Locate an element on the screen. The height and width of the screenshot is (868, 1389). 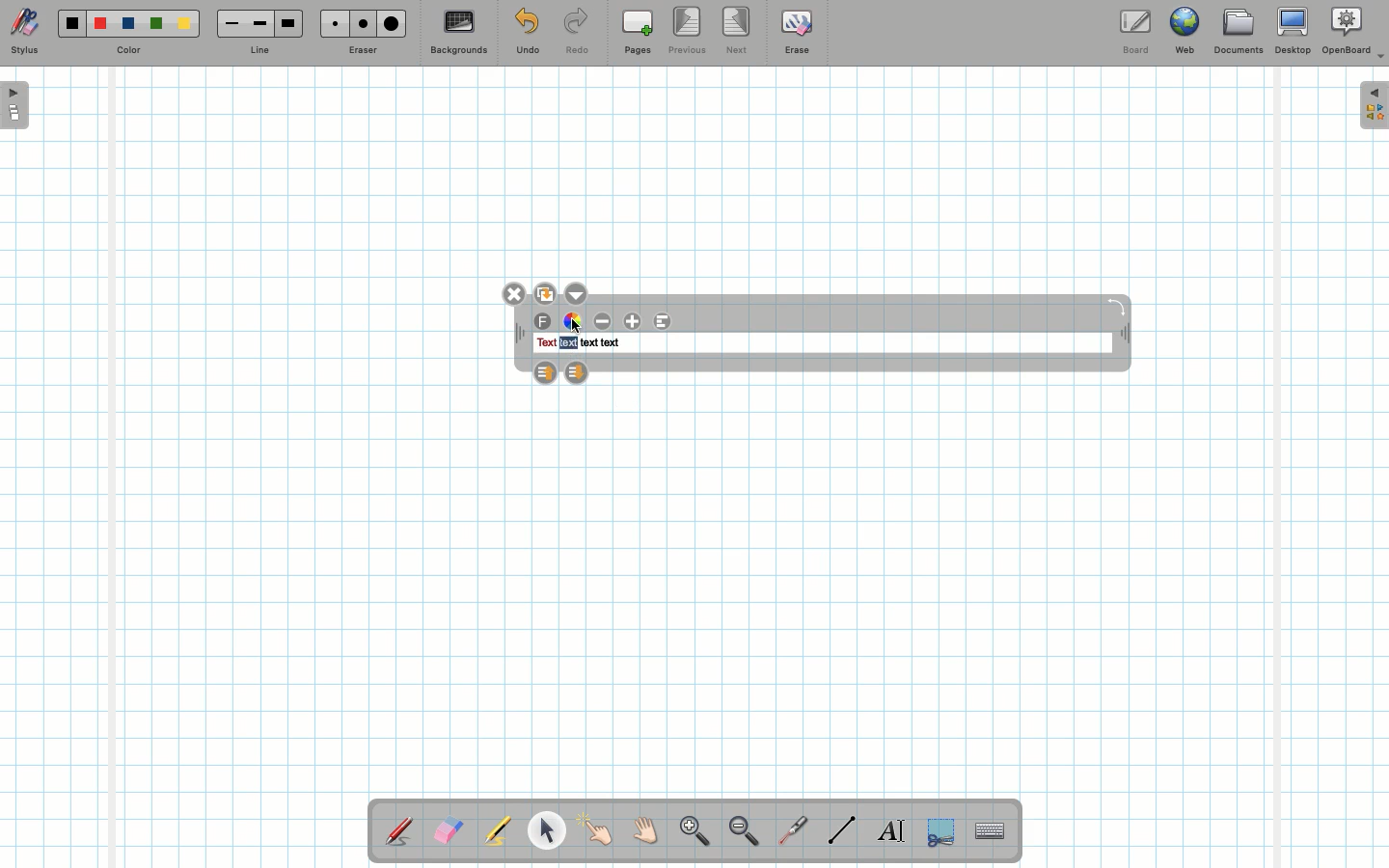
Undo is located at coordinates (527, 35).